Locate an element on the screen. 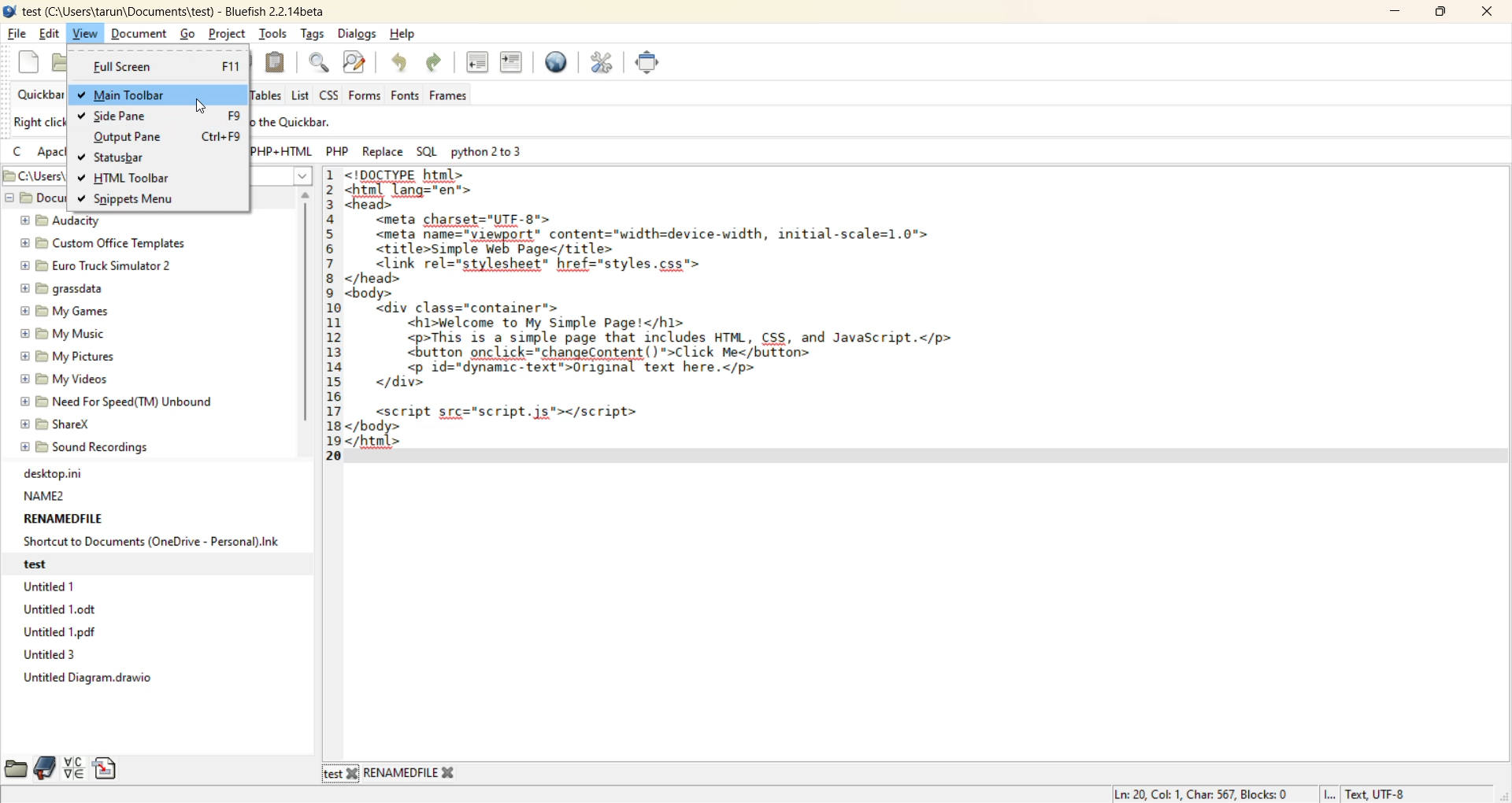  php html is located at coordinates (279, 150).